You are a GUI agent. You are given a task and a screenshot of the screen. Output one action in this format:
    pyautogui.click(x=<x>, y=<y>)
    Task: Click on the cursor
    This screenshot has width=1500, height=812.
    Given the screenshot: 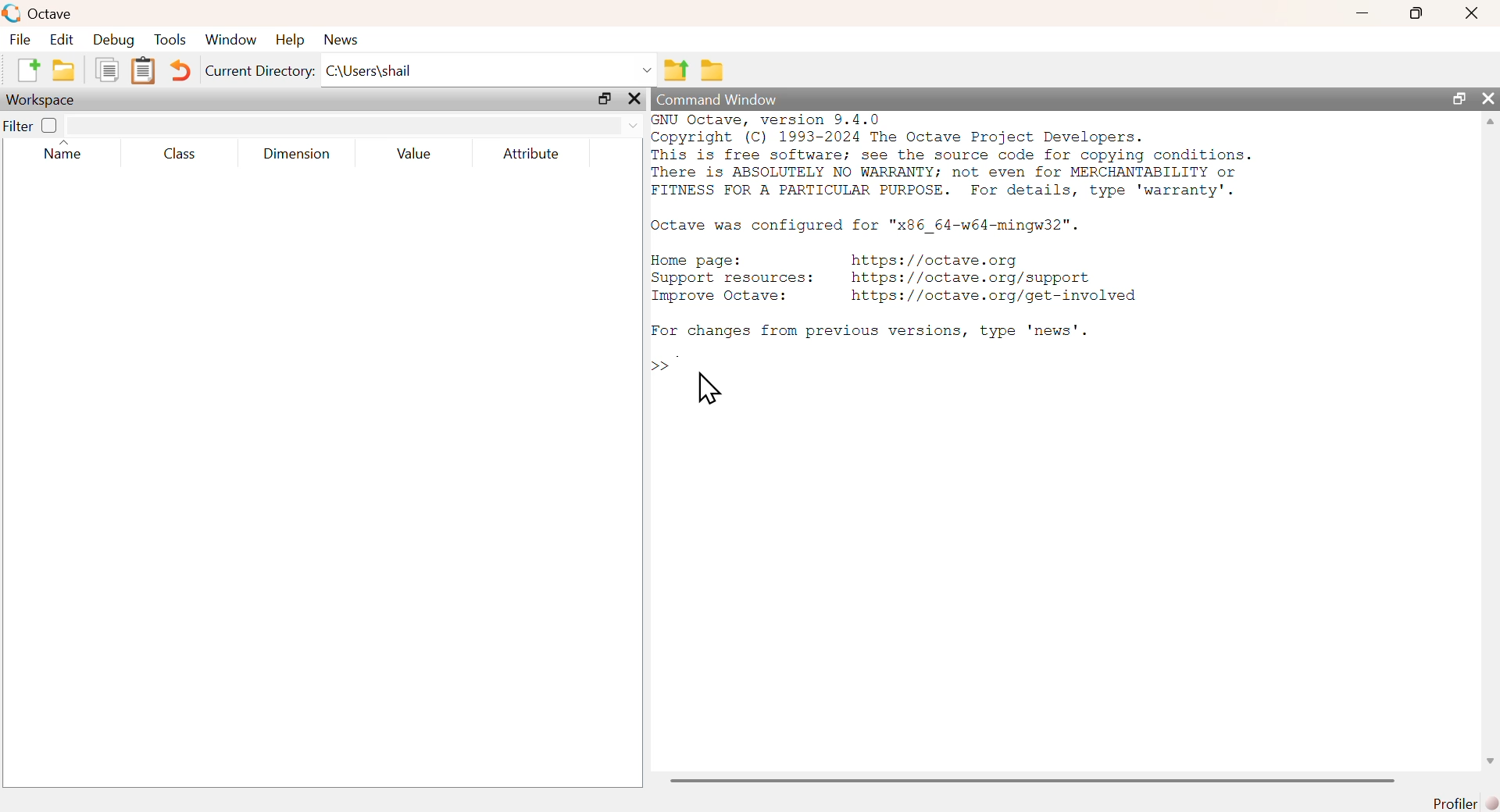 What is the action you would take?
    pyautogui.click(x=709, y=388)
    